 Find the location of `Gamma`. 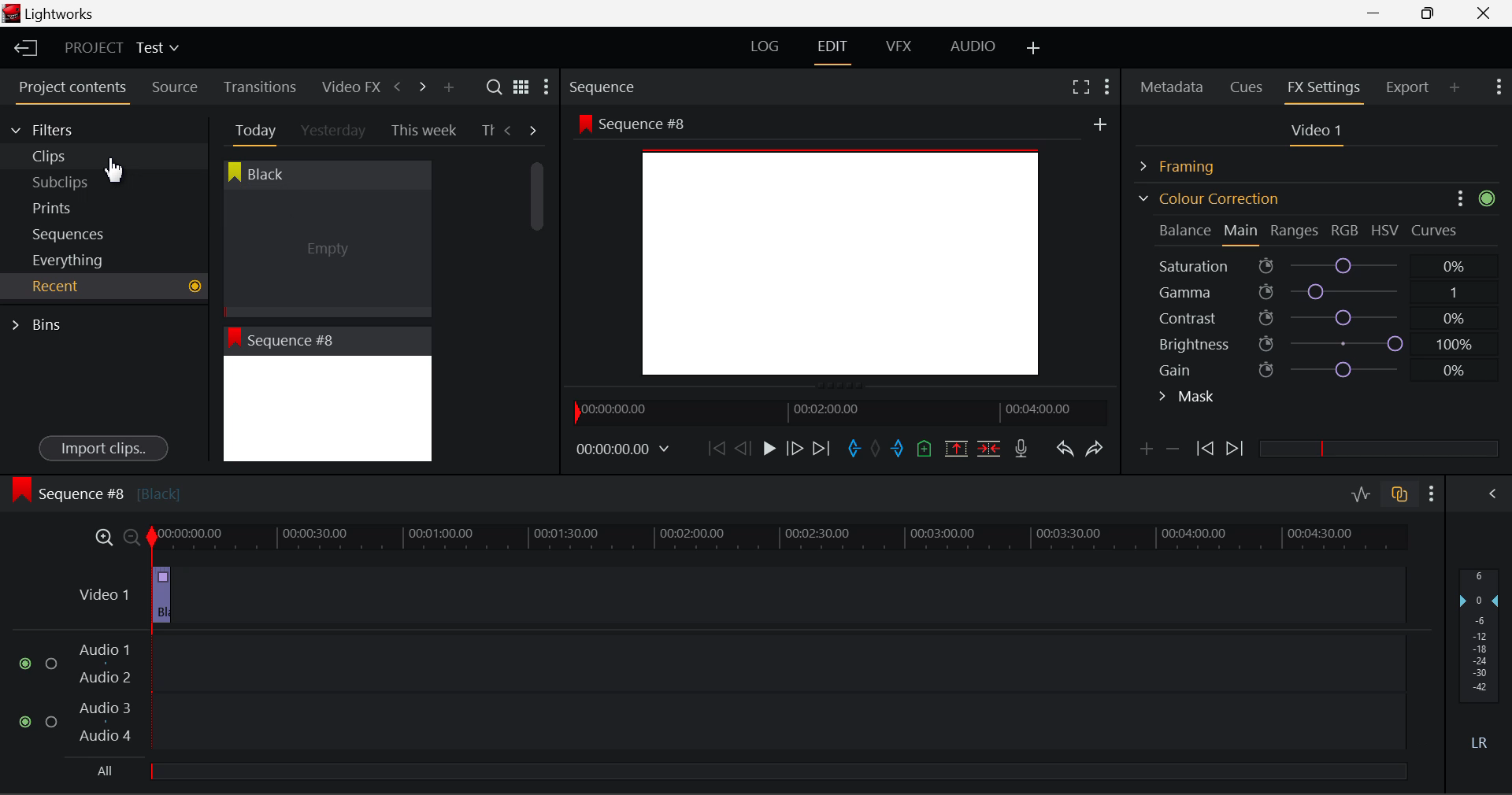

Gamma is located at coordinates (1320, 292).